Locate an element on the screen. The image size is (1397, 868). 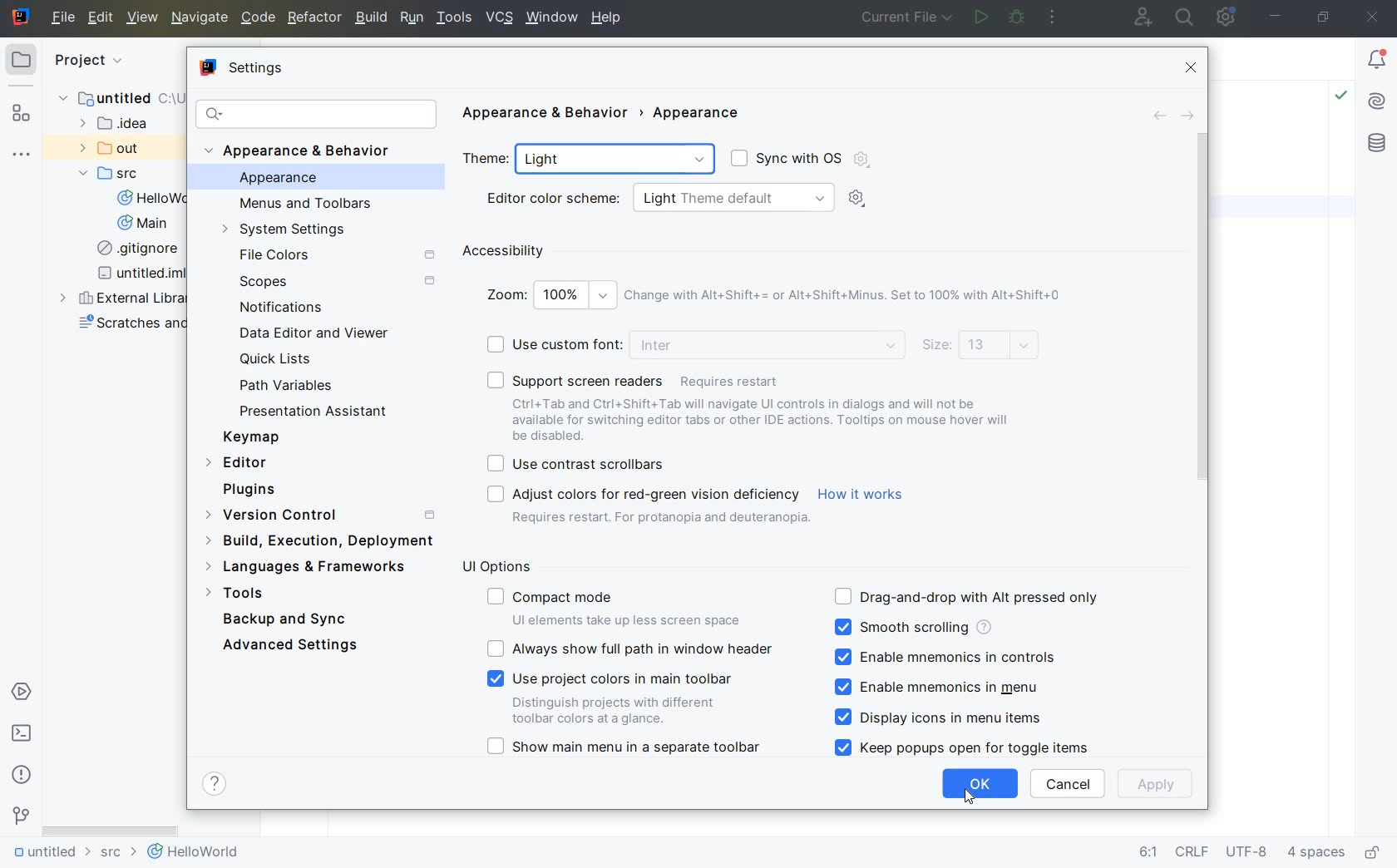
BACKWARD is located at coordinates (1158, 116).